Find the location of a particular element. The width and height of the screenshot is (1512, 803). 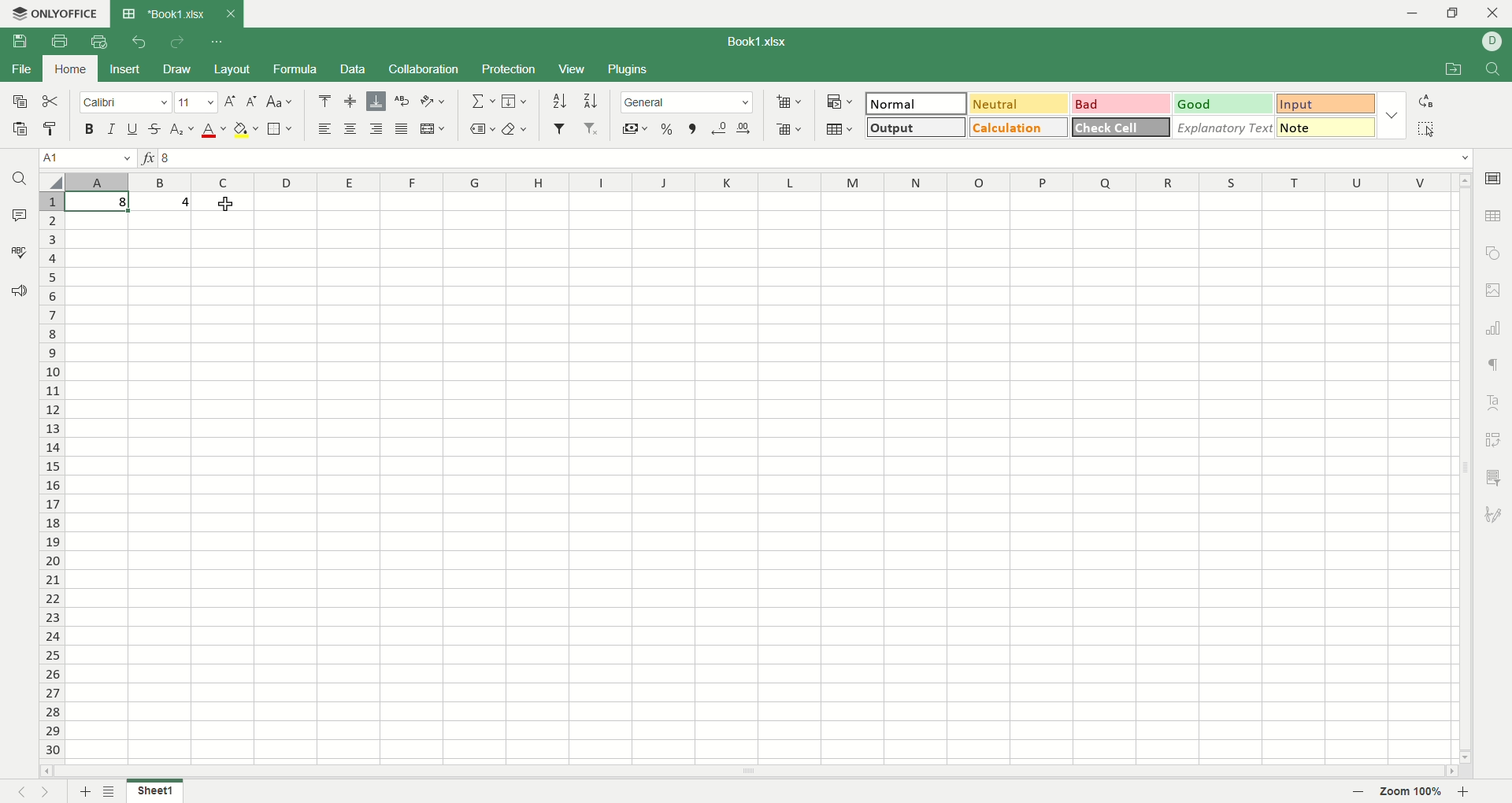

8 is located at coordinates (123, 205).